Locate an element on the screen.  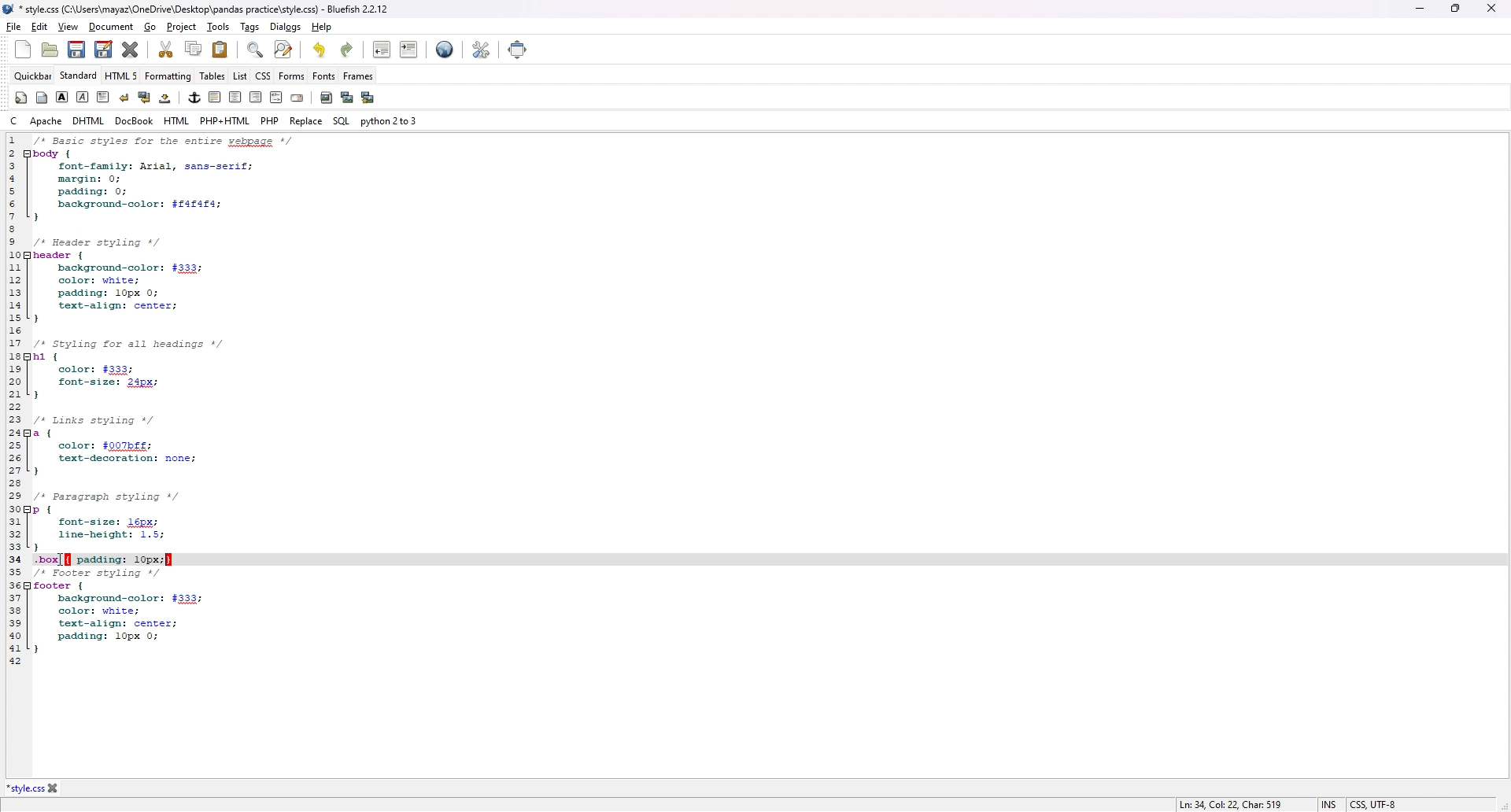
find bar is located at coordinates (254, 50).